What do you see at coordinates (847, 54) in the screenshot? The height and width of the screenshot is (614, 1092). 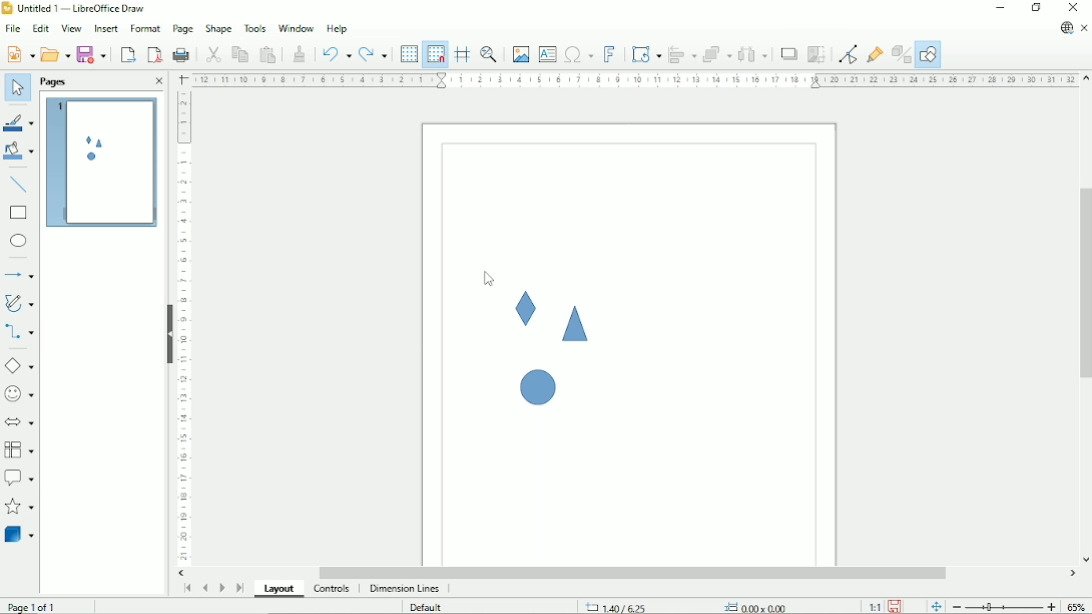 I see `Toggle point edit mode` at bounding box center [847, 54].